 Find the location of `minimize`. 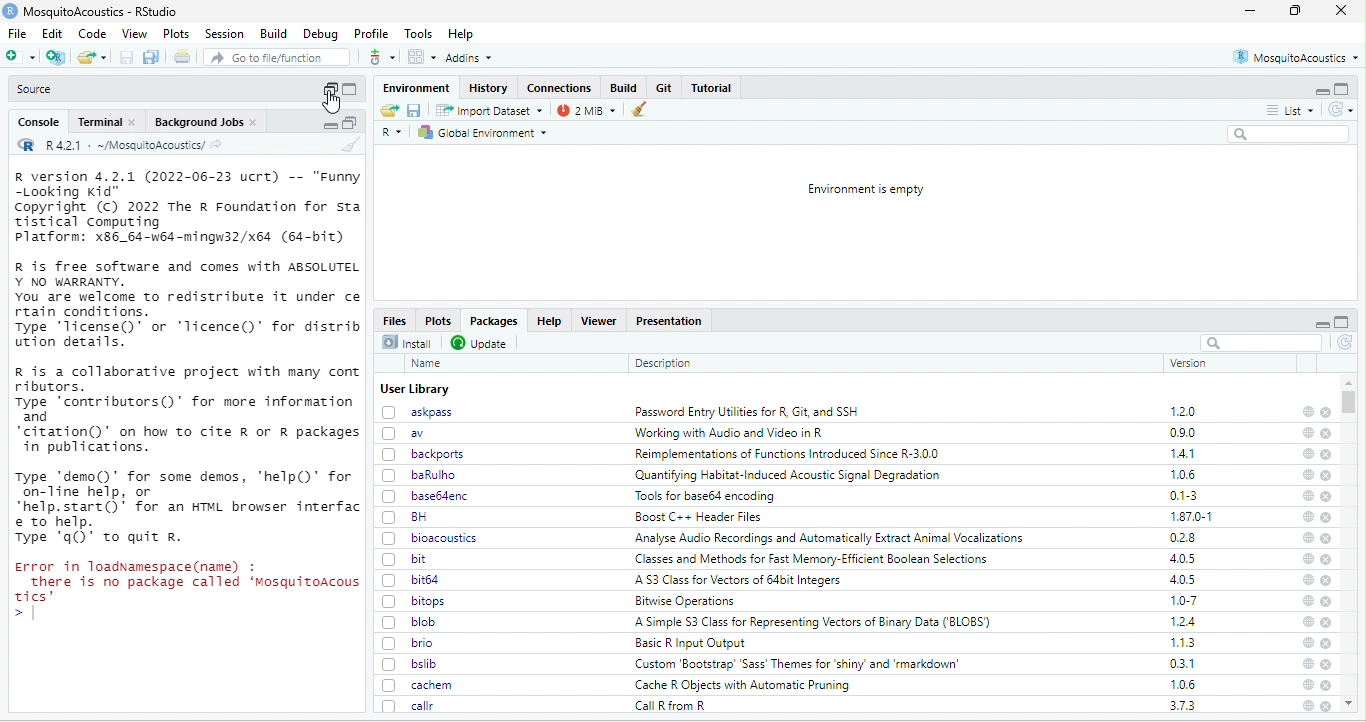

minimize is located at coordinates (1320, 89).